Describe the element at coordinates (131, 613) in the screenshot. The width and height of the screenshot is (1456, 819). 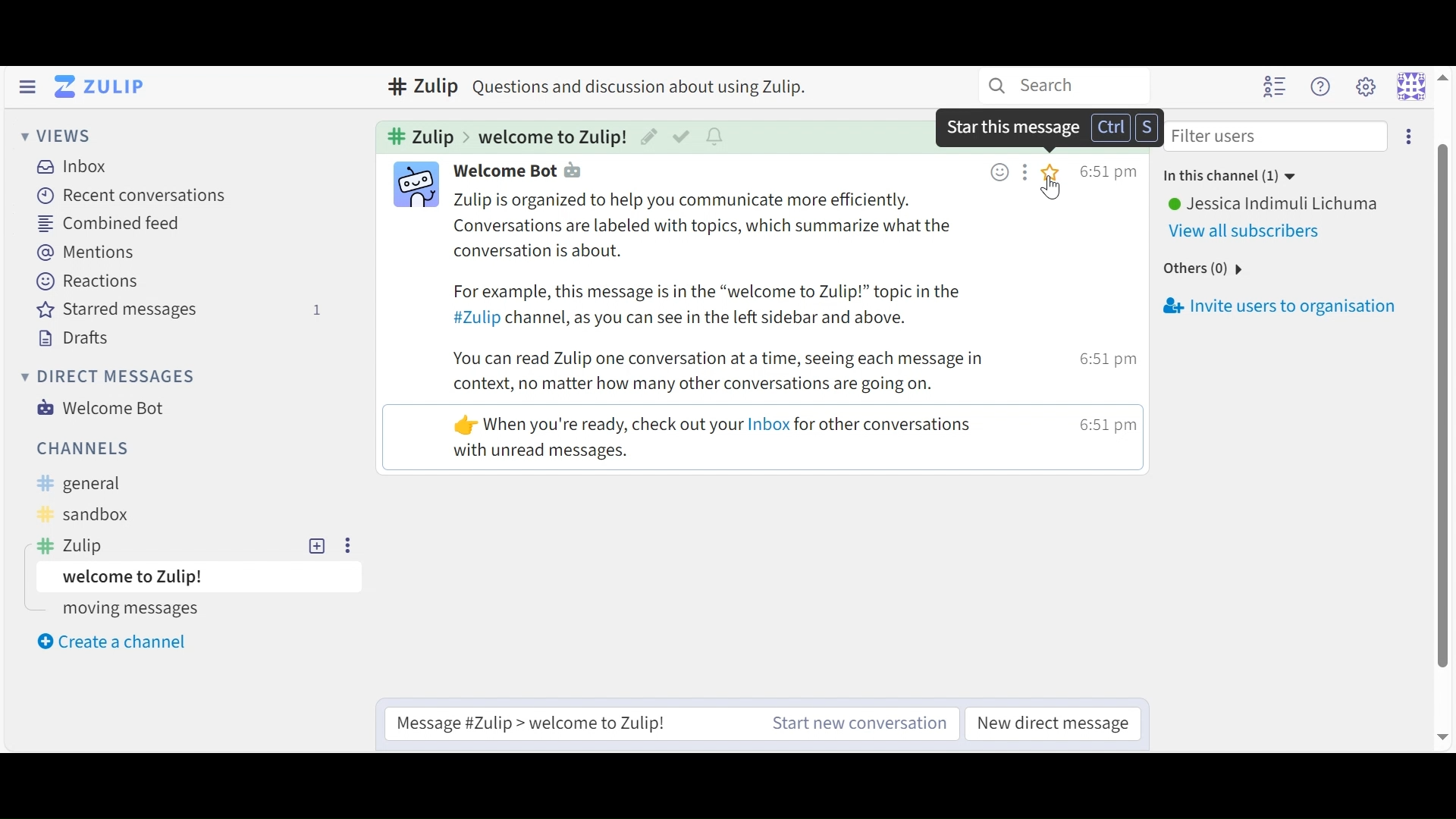
I see `moving messages` at that location.